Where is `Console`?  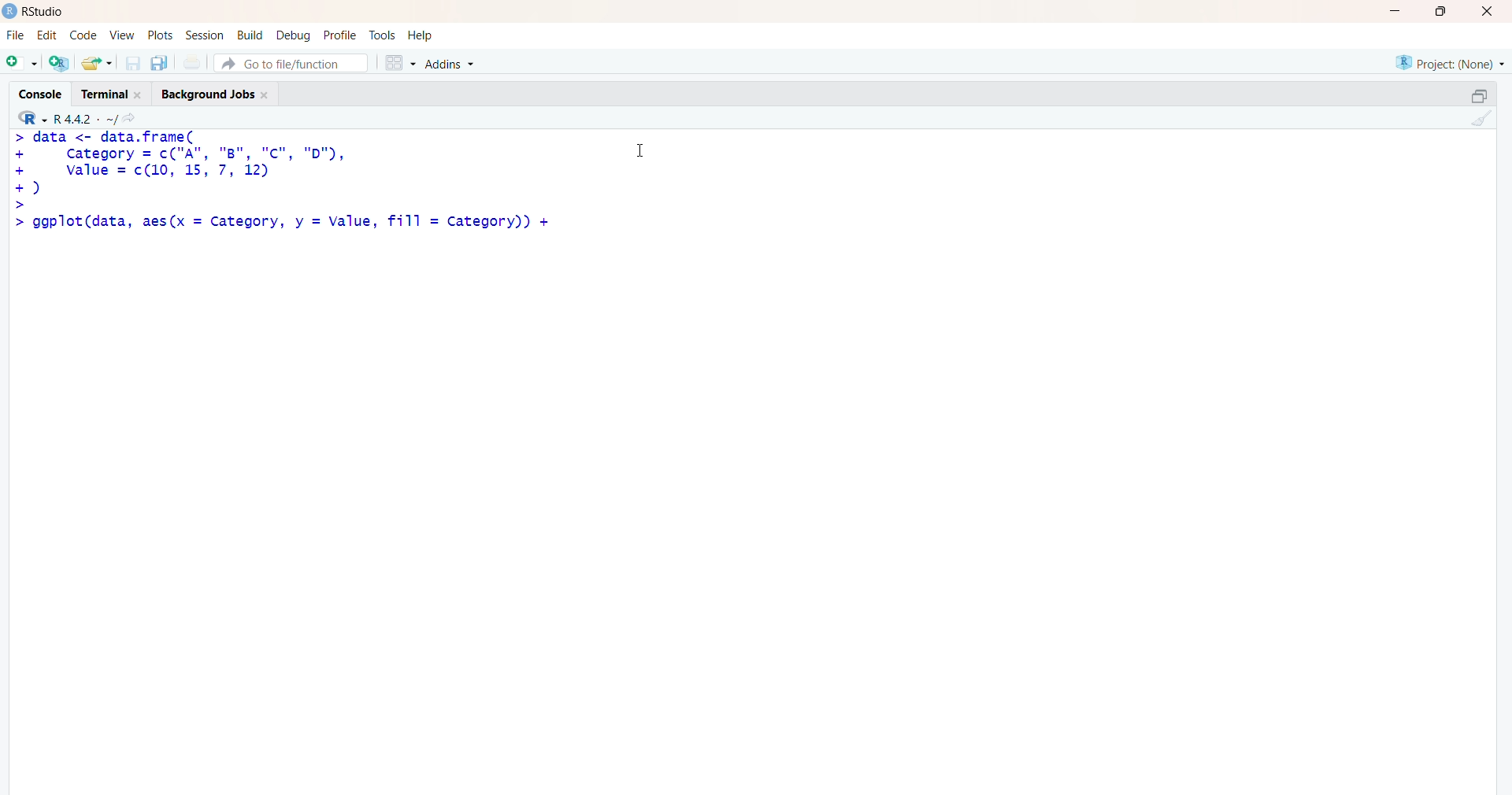
Console is located at coordinates (44, 92).